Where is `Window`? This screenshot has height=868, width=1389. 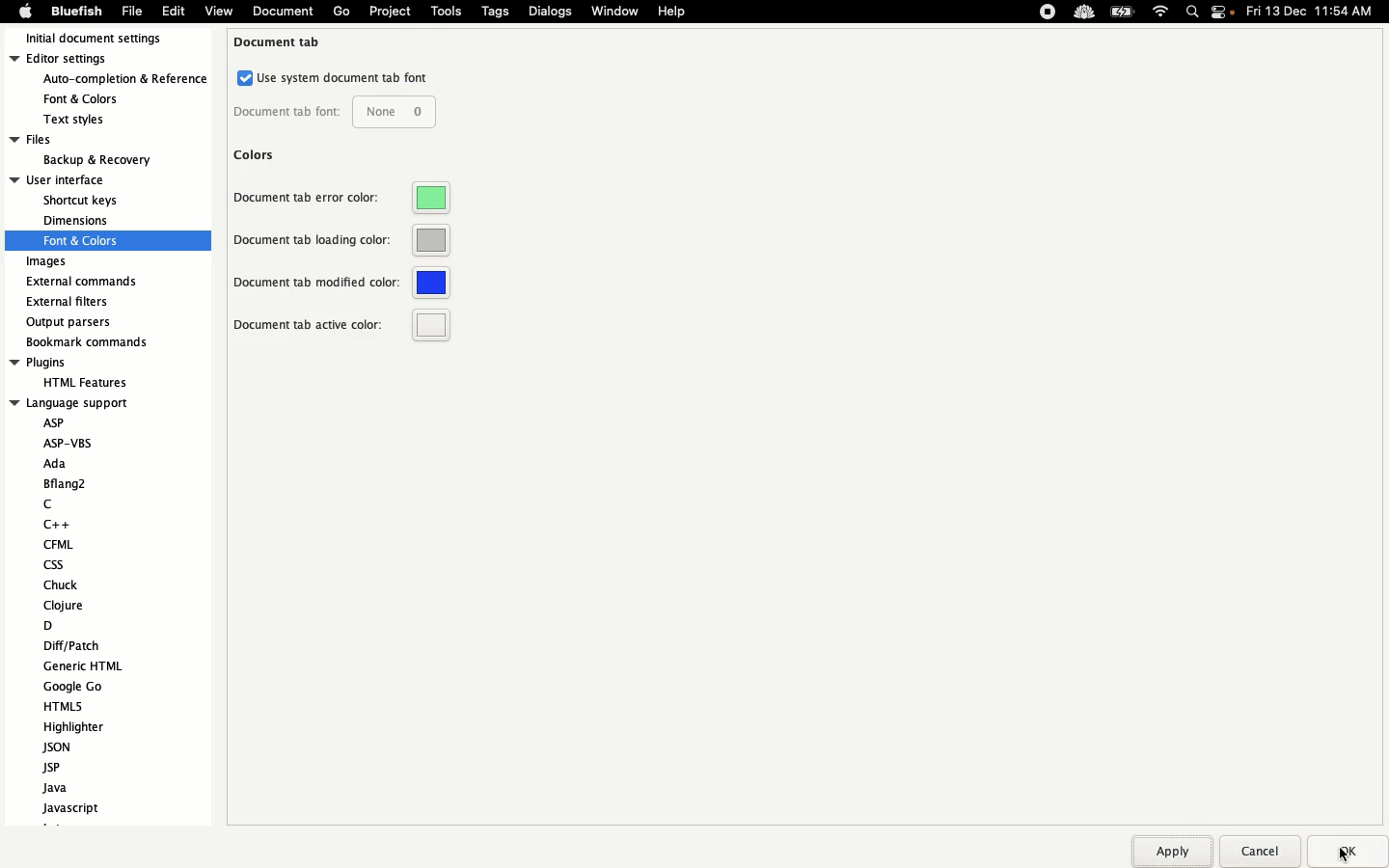 Window is located at coordinates (616, 13).